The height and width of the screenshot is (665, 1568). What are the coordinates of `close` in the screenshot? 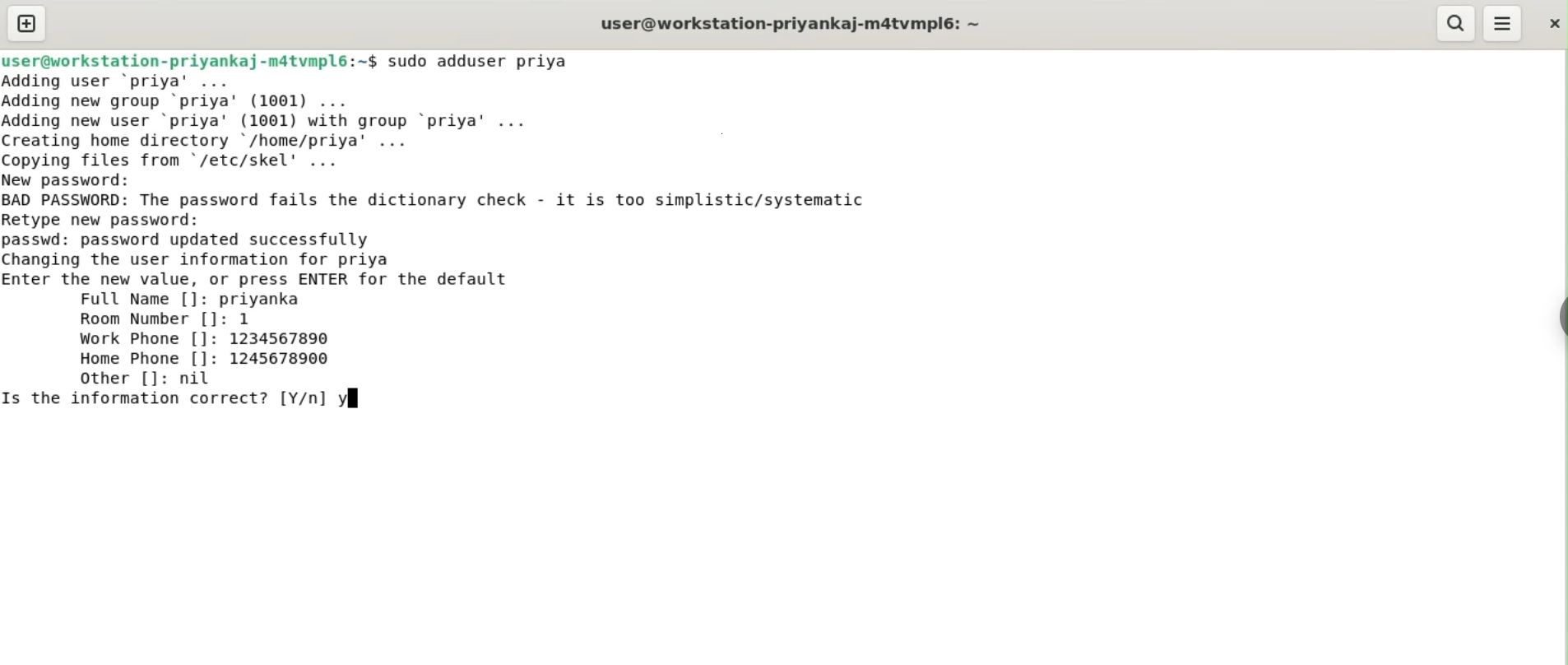 It's located at (1552, 19).